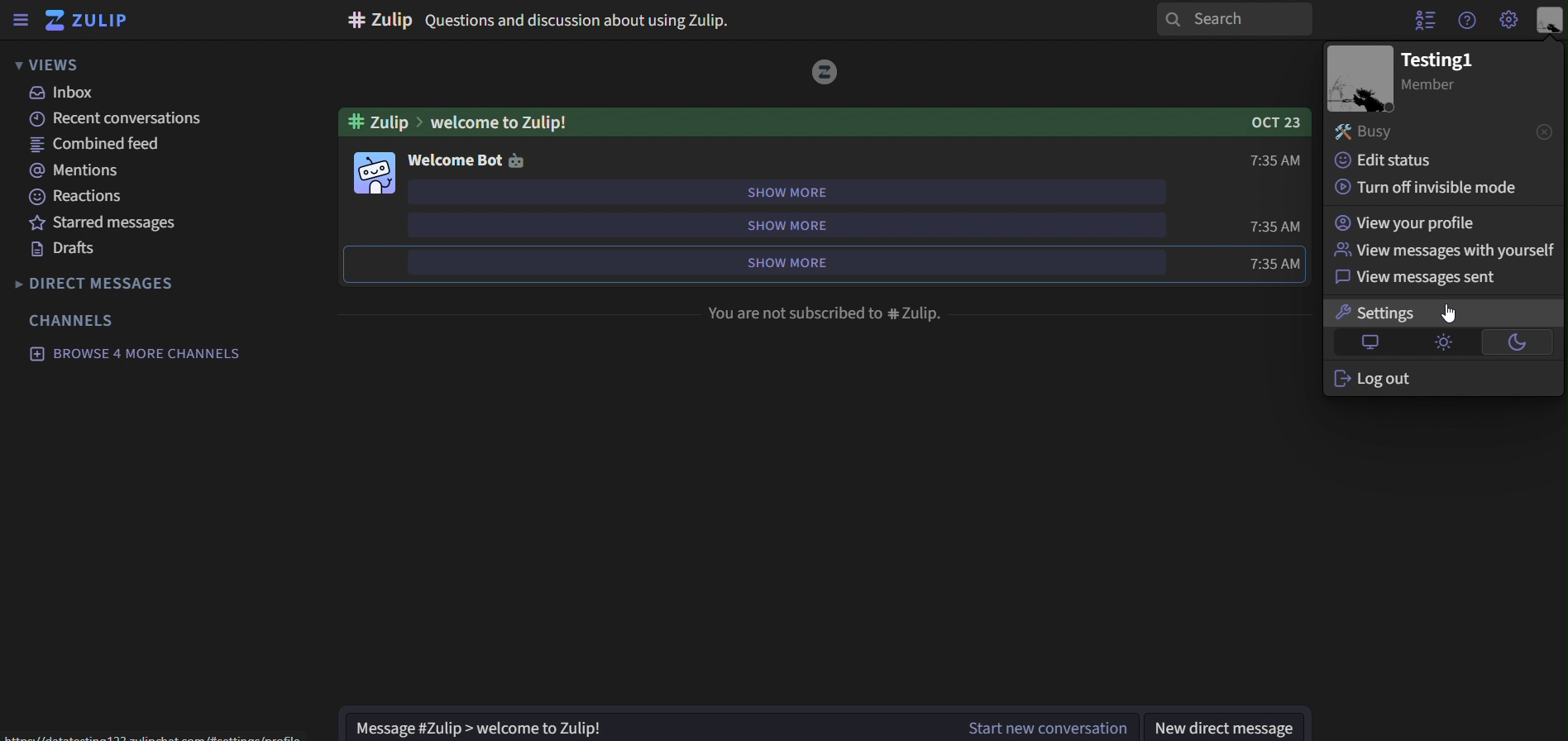 The width and height of the screenshot is (1568, 741). I want to click on welcome, so click(454, 159).